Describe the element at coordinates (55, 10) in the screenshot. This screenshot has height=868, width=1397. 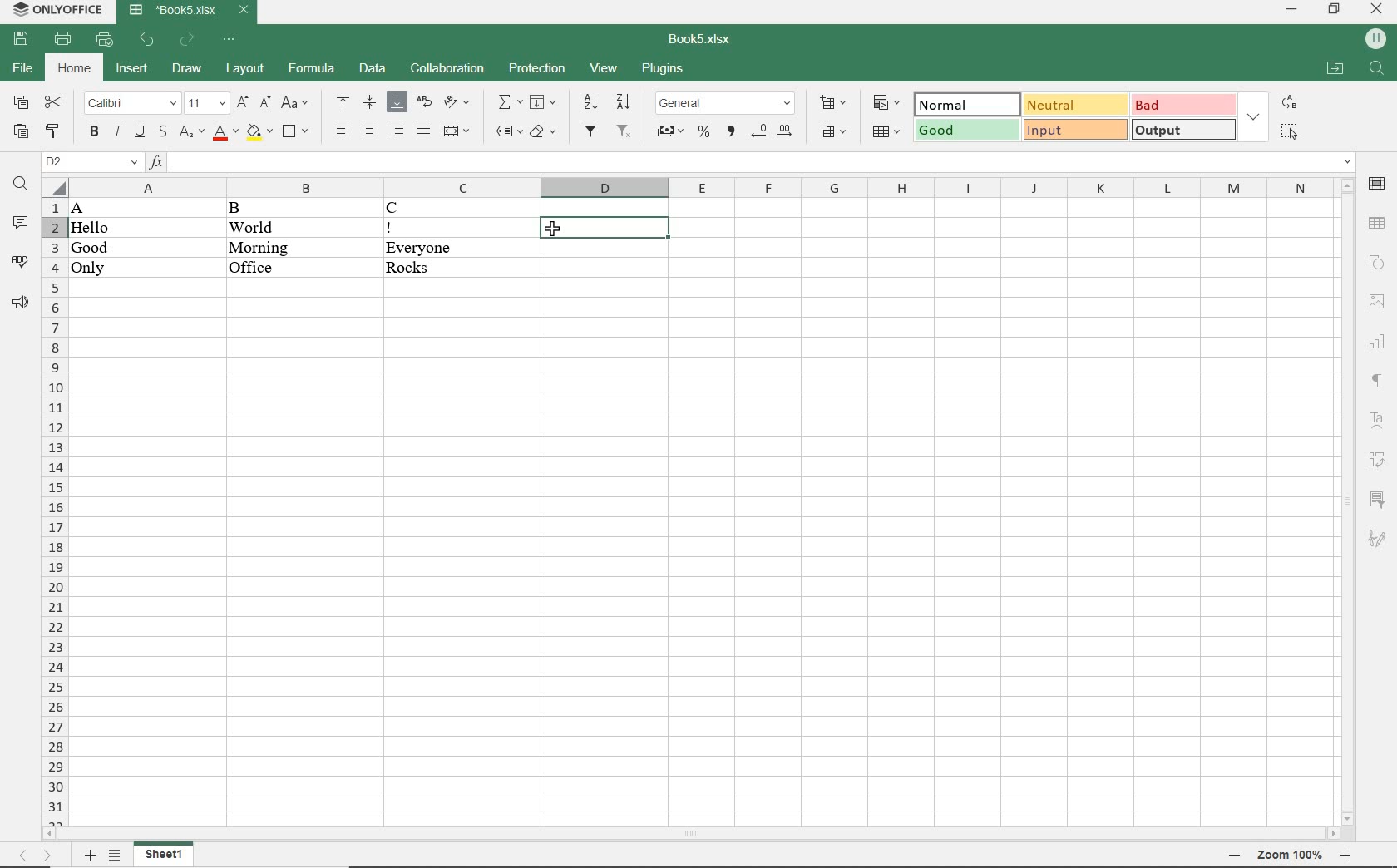
I see `system name` at that location.